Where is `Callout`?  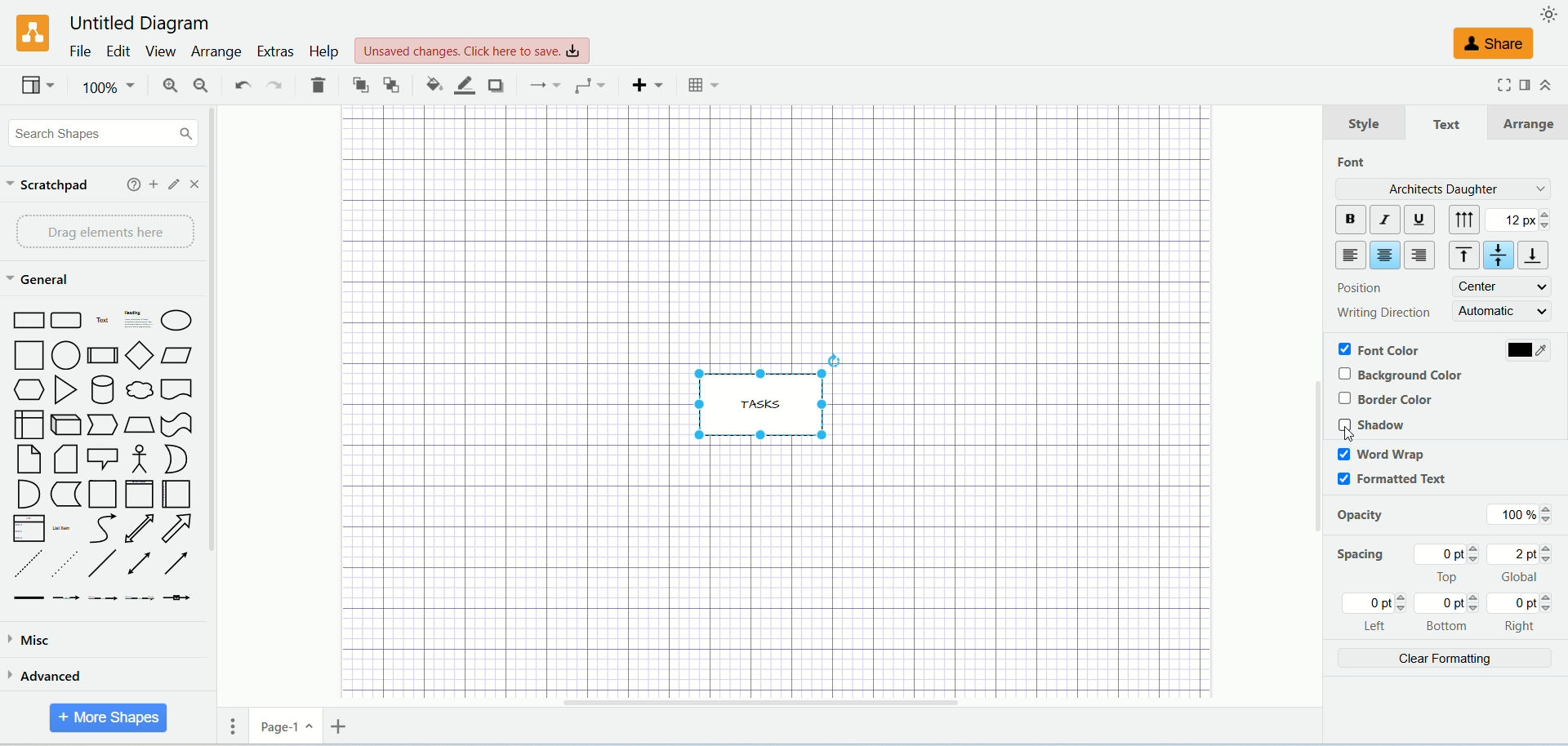 Callout is located at coordinates (103, 458).